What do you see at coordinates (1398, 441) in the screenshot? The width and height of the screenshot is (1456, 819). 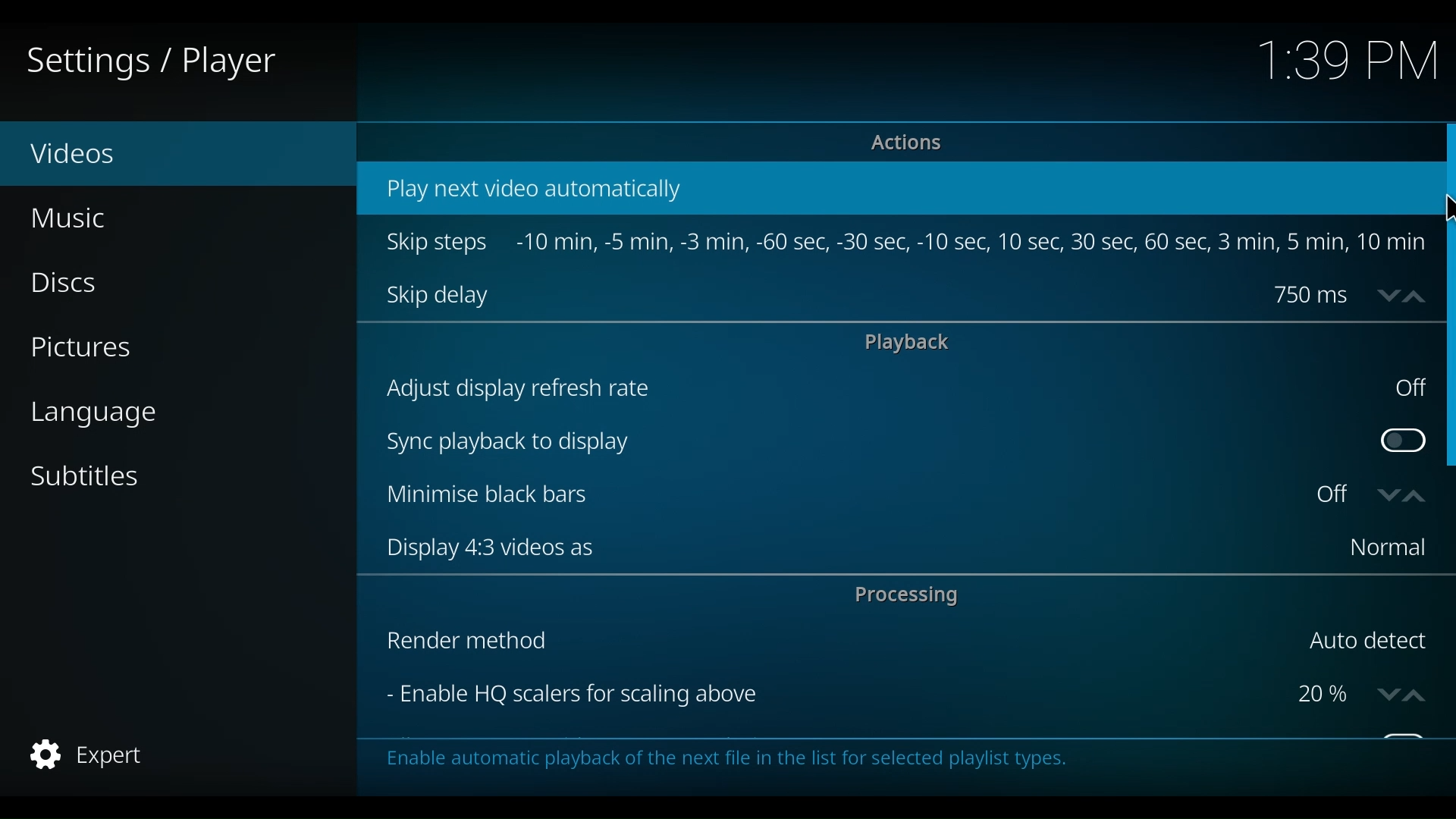 I see `Toggle Sync playback to display` at bounding box center [1398, 441].